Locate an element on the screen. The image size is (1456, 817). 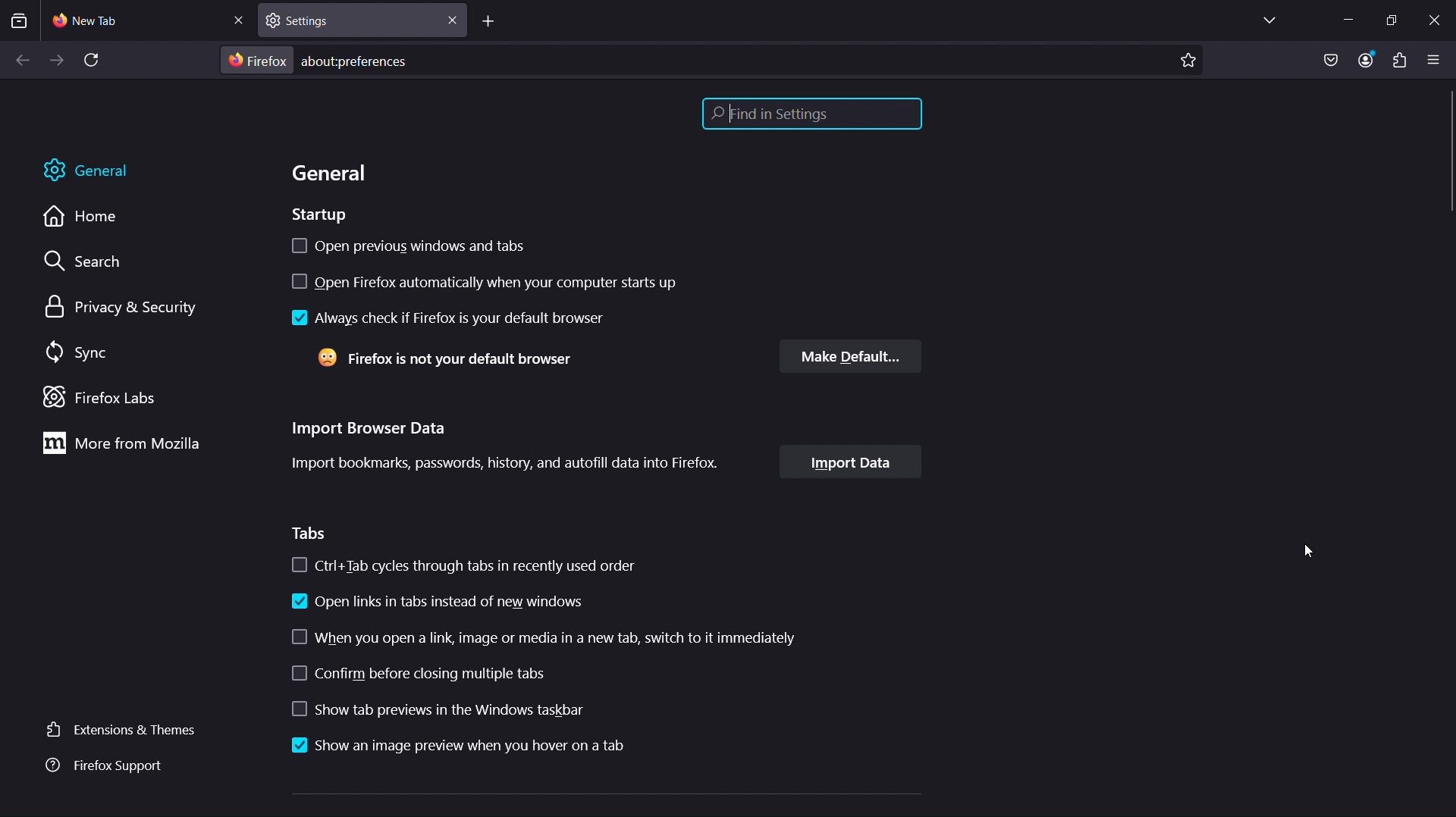
Cursor is located at coordinates (1313, 552).